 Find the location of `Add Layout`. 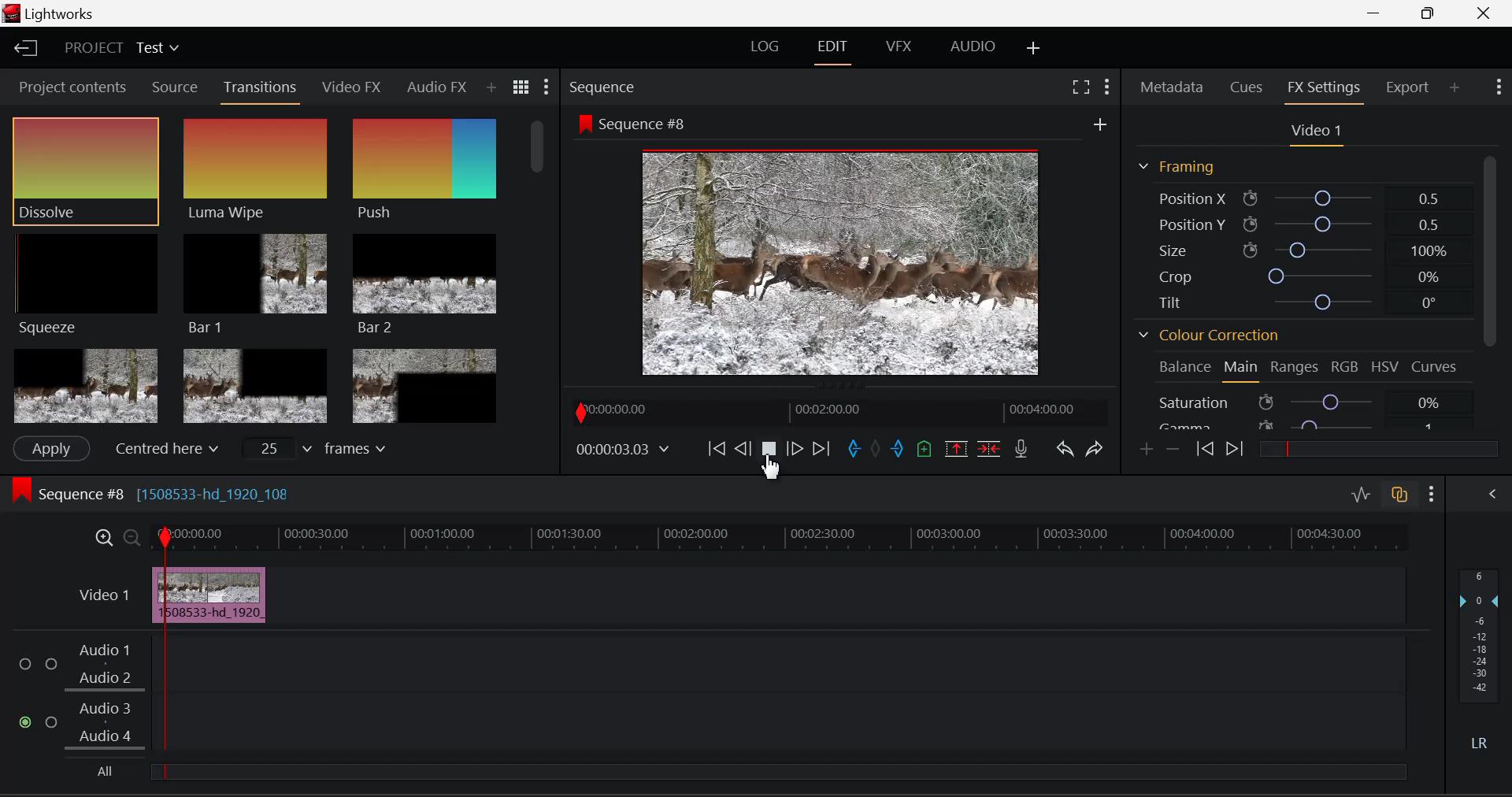

Add Layout is located at coordinates (1034, 50).